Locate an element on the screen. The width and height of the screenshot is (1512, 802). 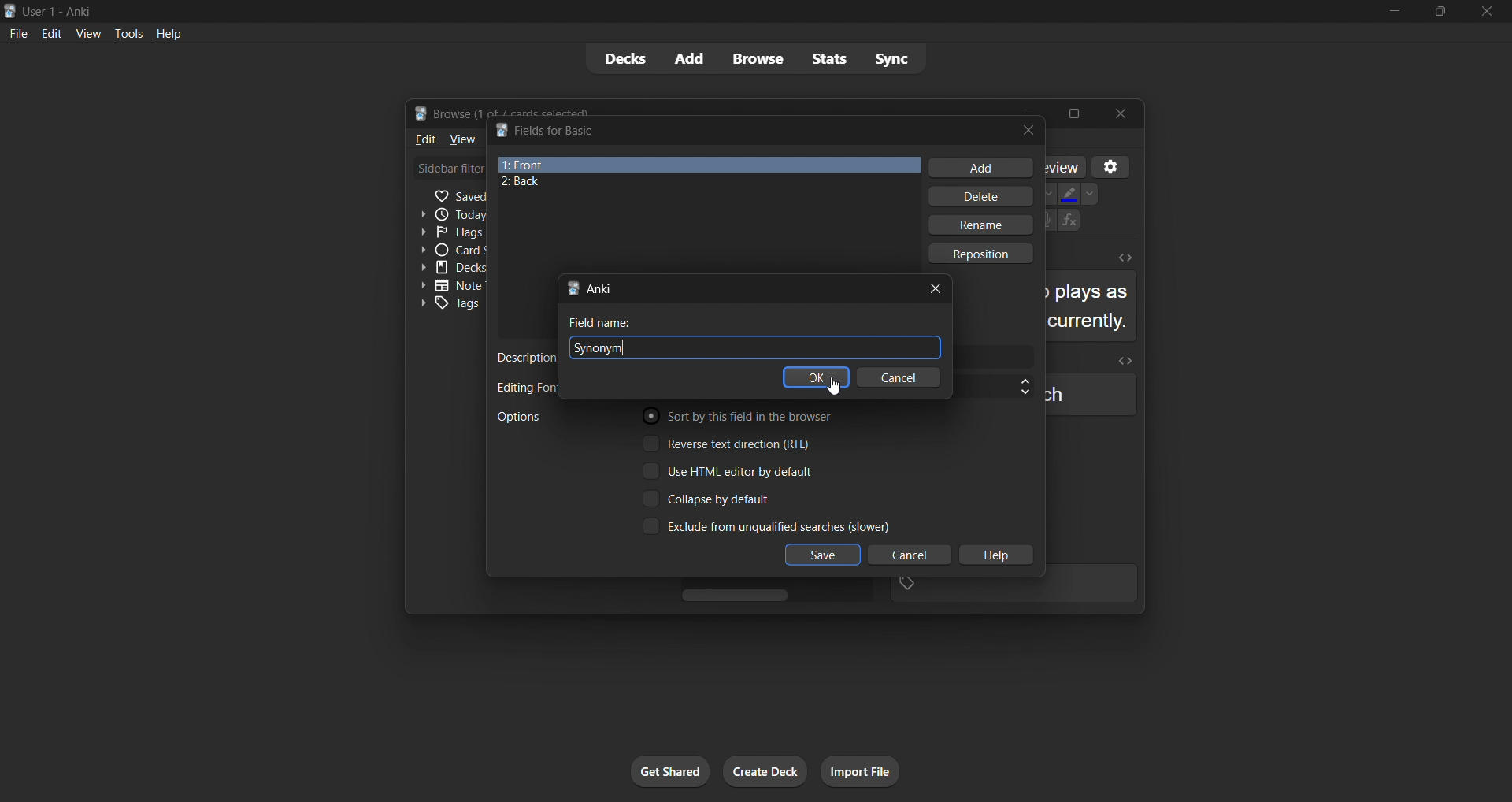
title bar is located at coordinates (743, 129).